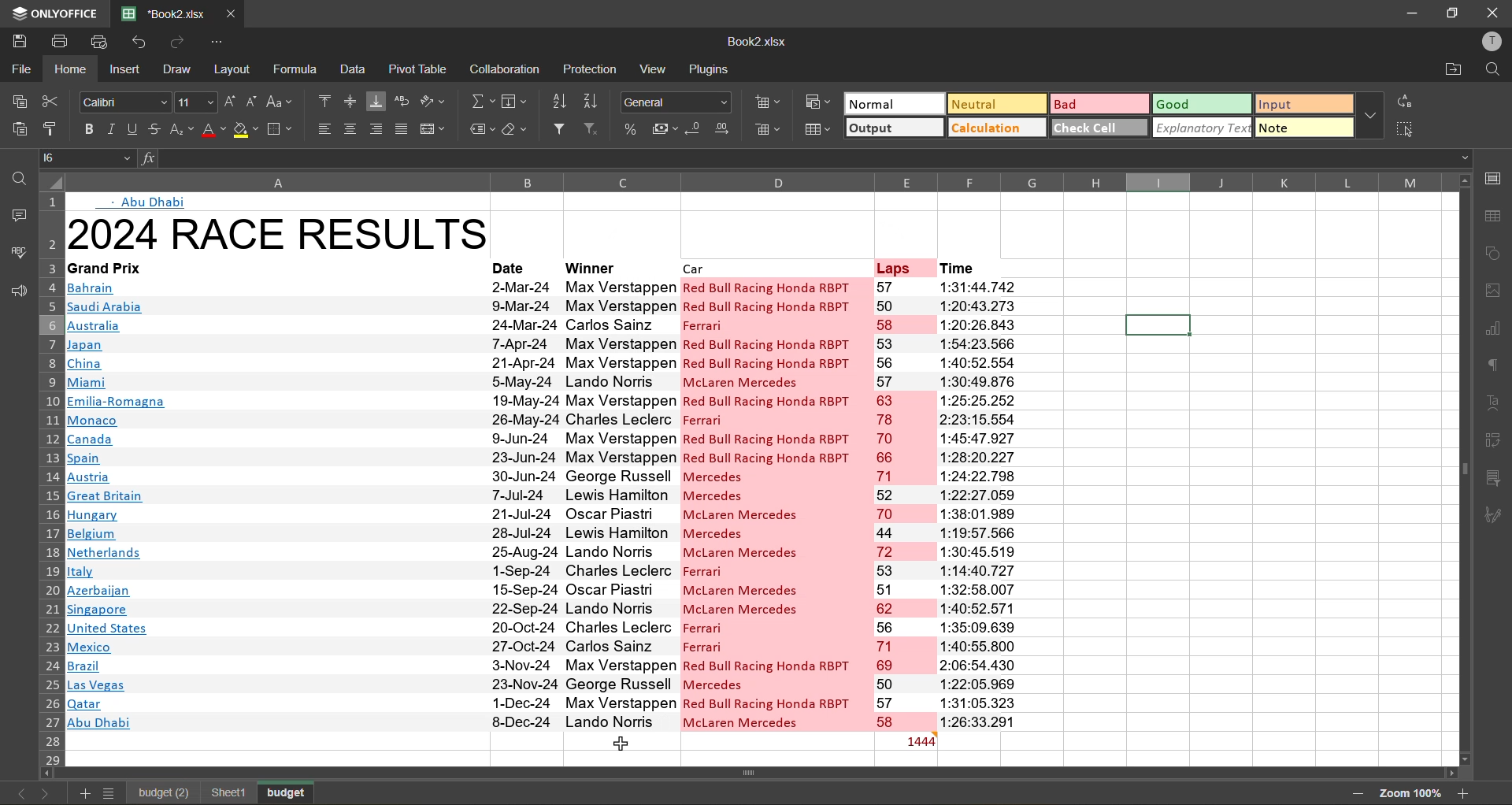 This screenshot has width=1512, height=805. I want to click on next, so click(46, 792).